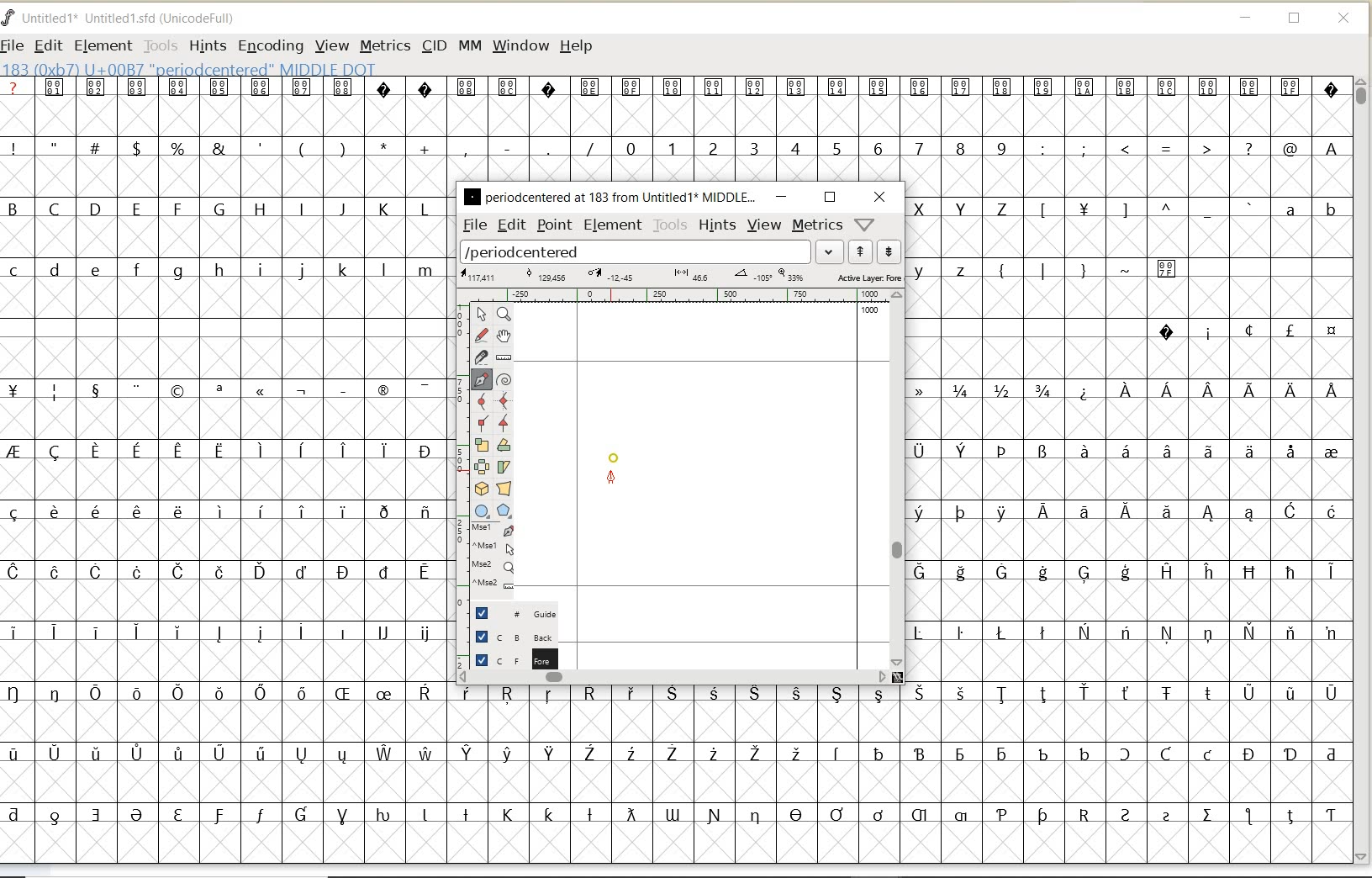 Image resolution: width=1372 pixels, height=878 pixels. Describe the element at coordinates (224, 271) in the screenshot. I see `lowercase letters` at that location.